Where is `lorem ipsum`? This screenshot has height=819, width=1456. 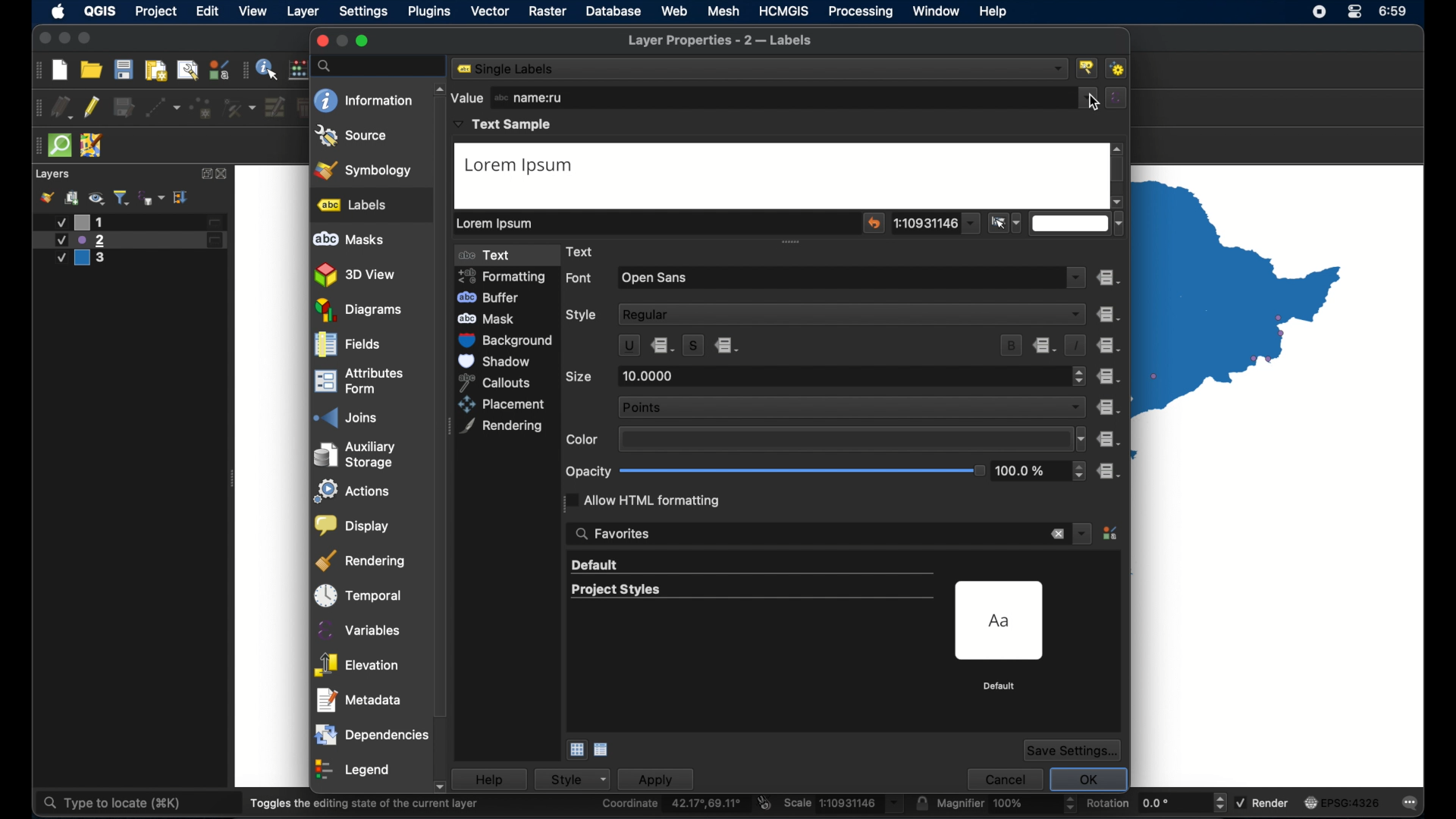 lorem ipsum is located at coordinates (498, 223).